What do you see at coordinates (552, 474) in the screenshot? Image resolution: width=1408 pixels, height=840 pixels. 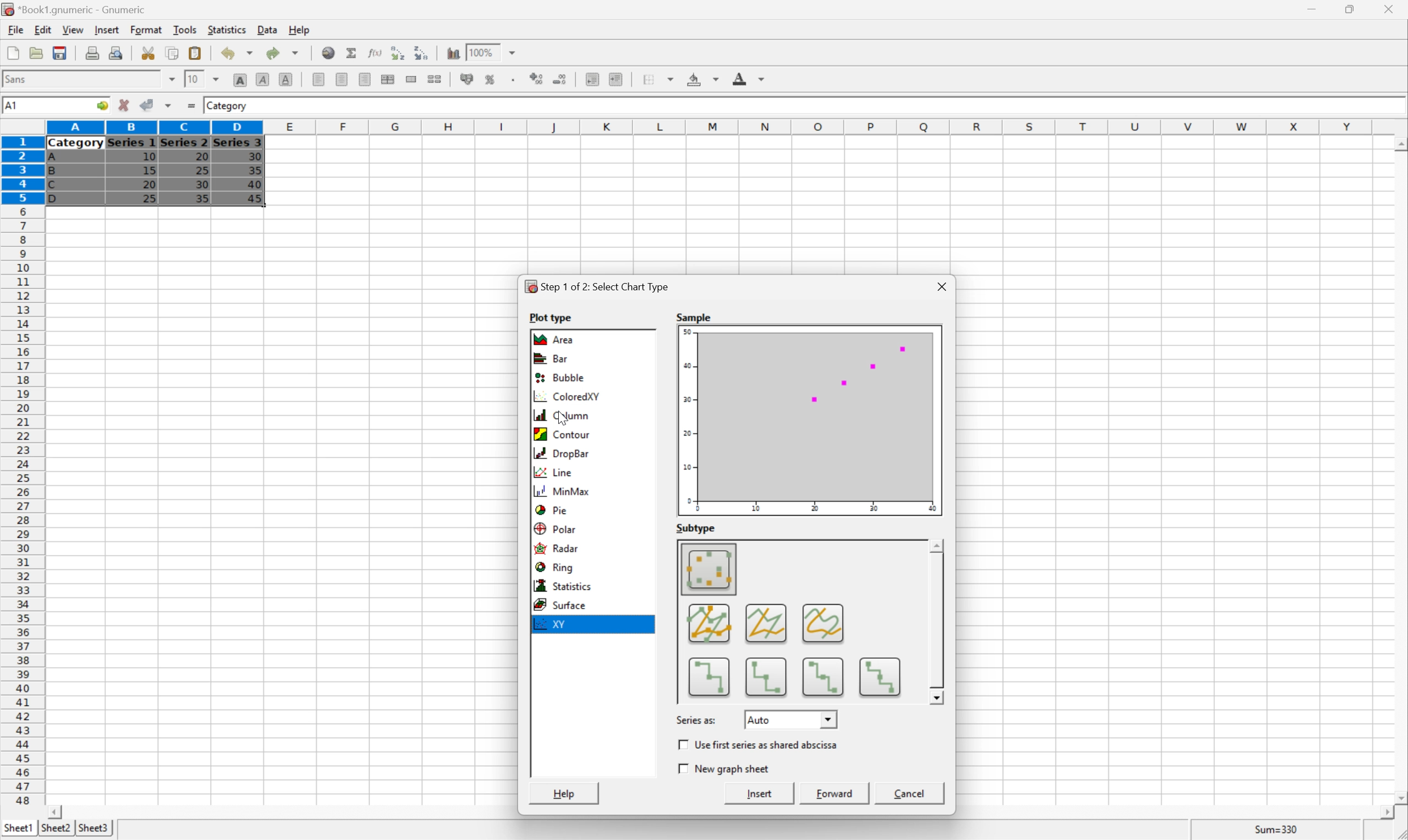 I see `Line` at bounding box center [552, 474].